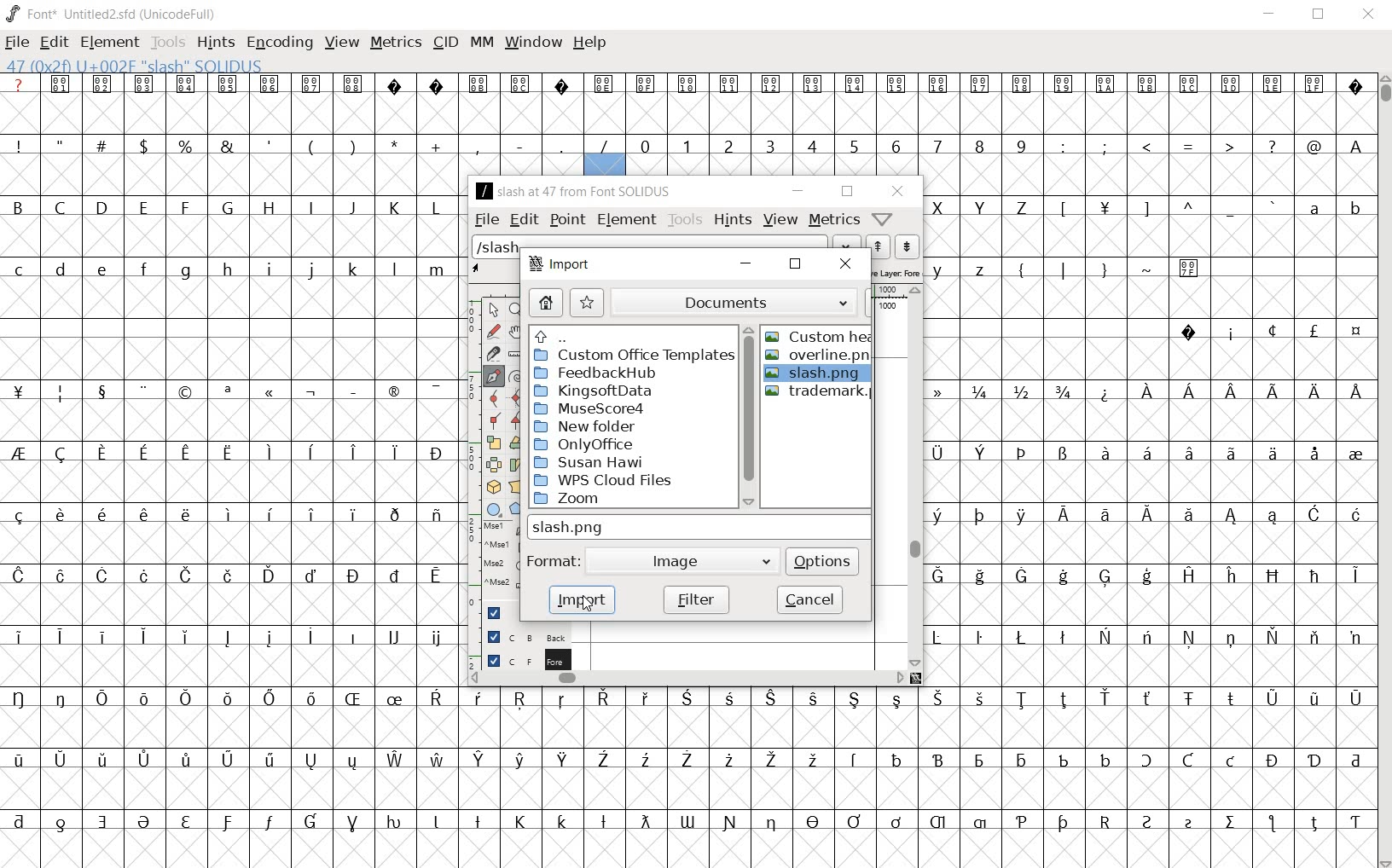  I want to click on MM, so click(480, 42).